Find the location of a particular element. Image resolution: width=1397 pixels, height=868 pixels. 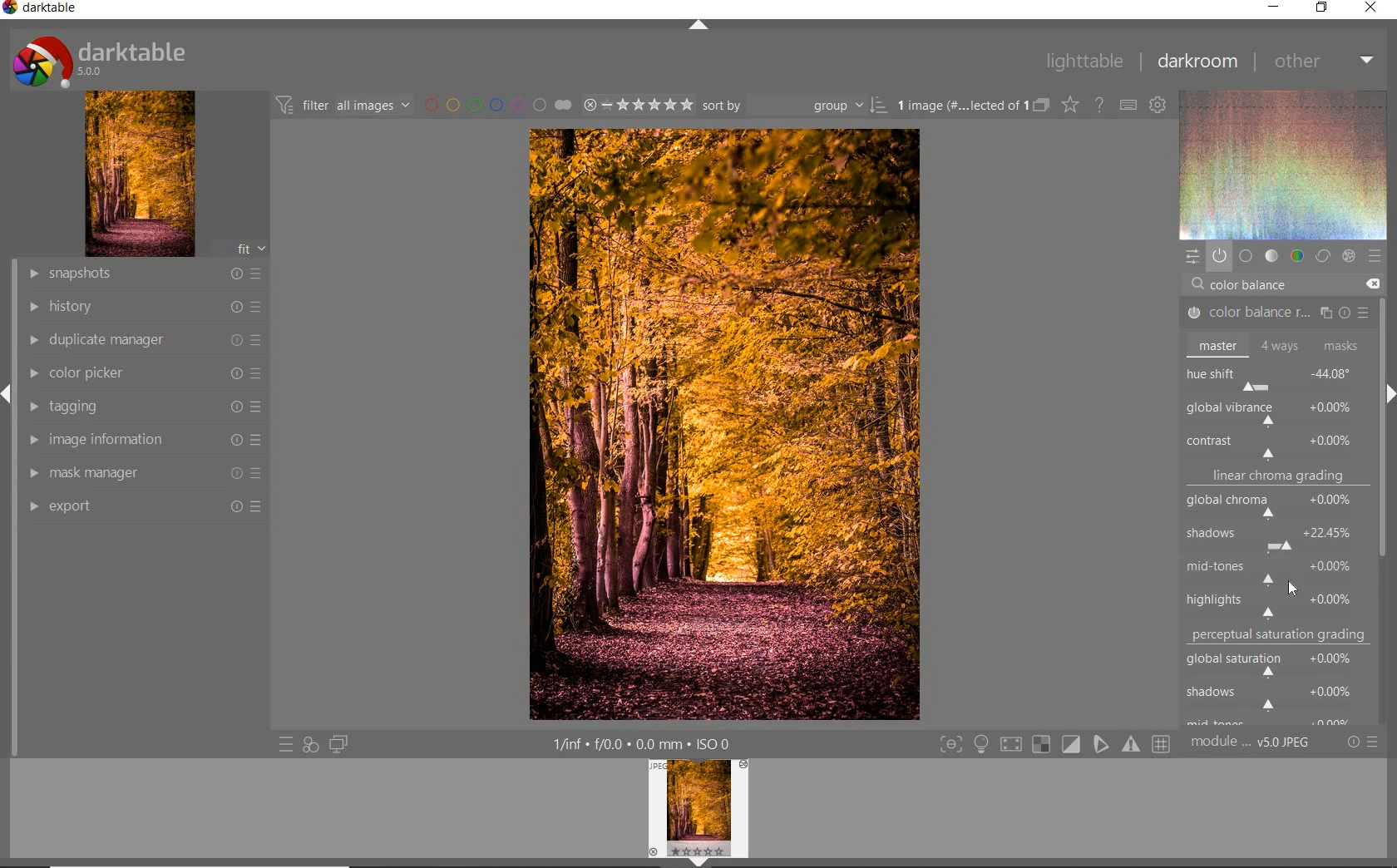

tone is located at coordinates (1271, 257).